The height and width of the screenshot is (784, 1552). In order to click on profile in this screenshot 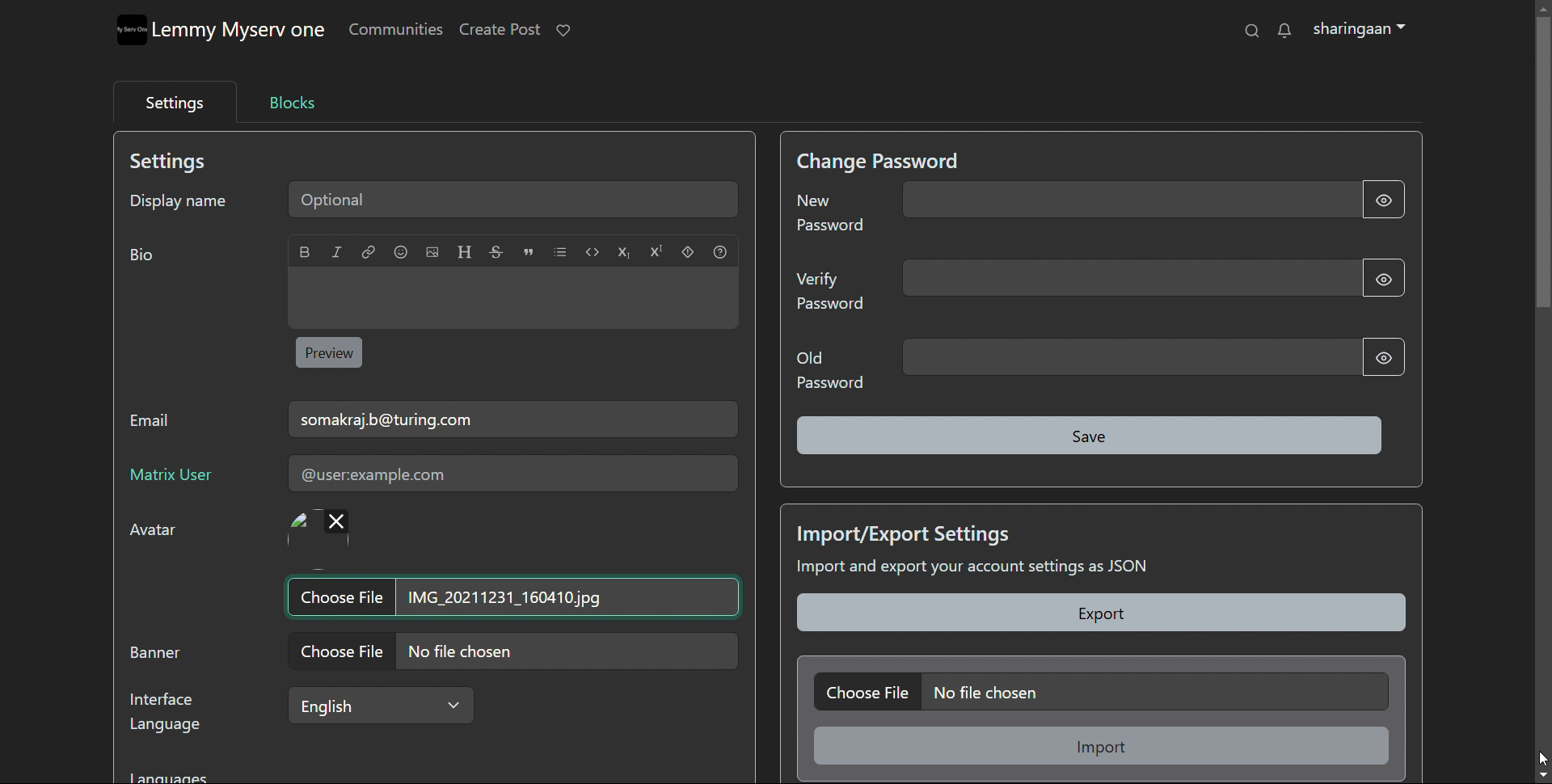, I will do `click(1359, 30)`.